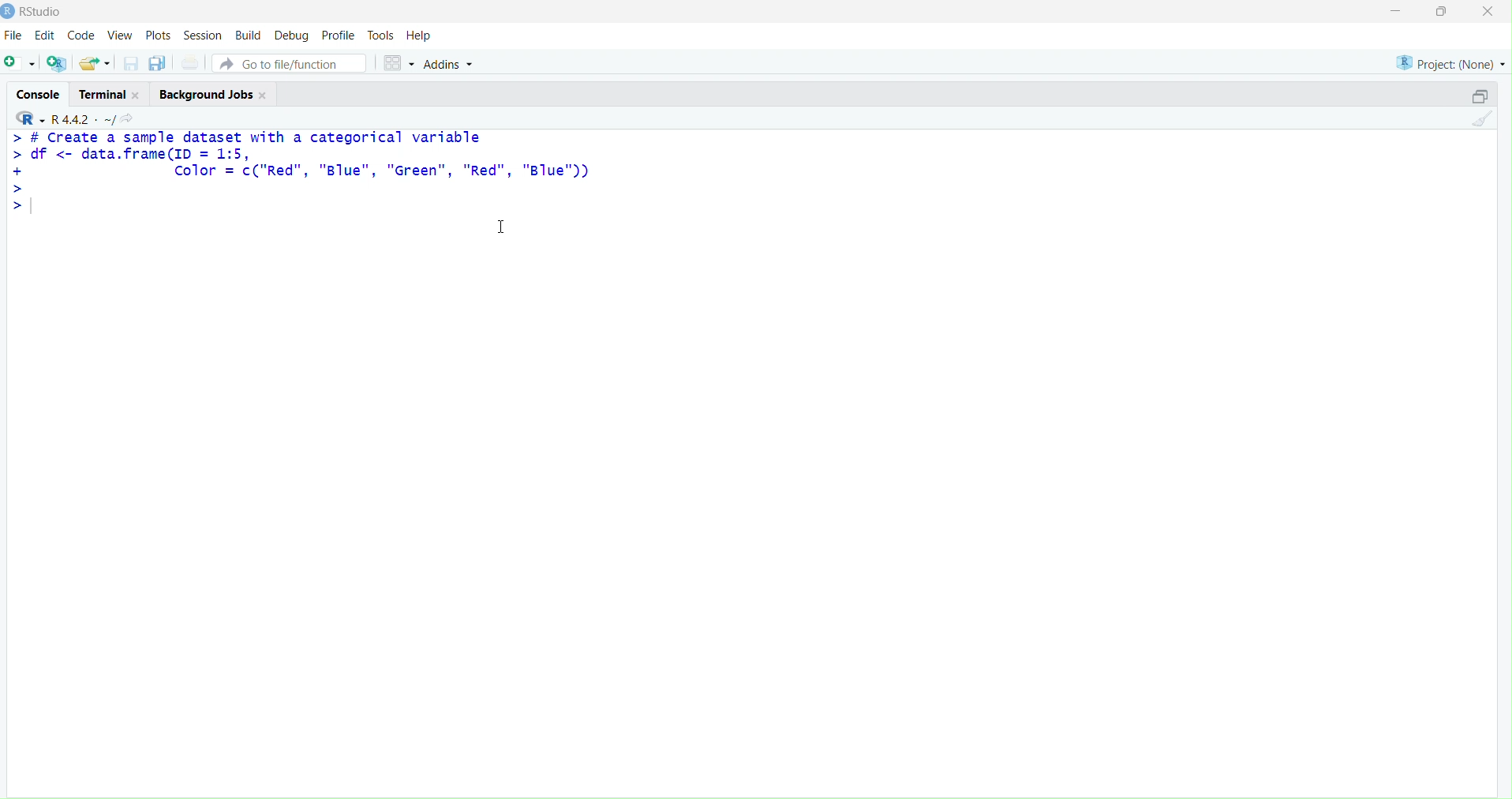  Describe the element at coordinates (57, 63) in the screenshot. I see `add R file` at that location.